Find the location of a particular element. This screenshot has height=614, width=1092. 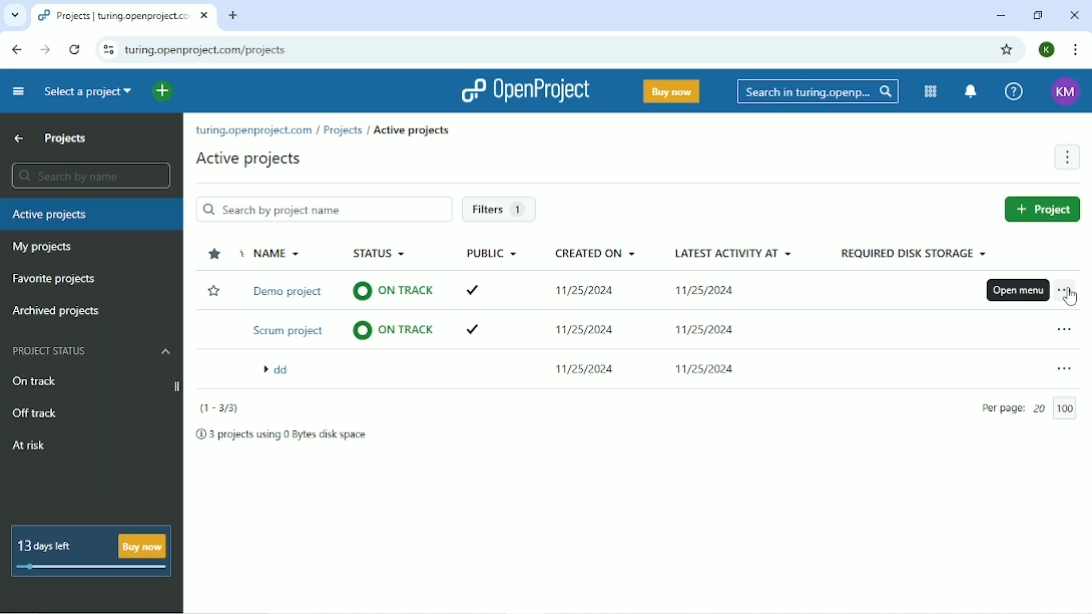

Buy now is located at coordinates (672, 91).